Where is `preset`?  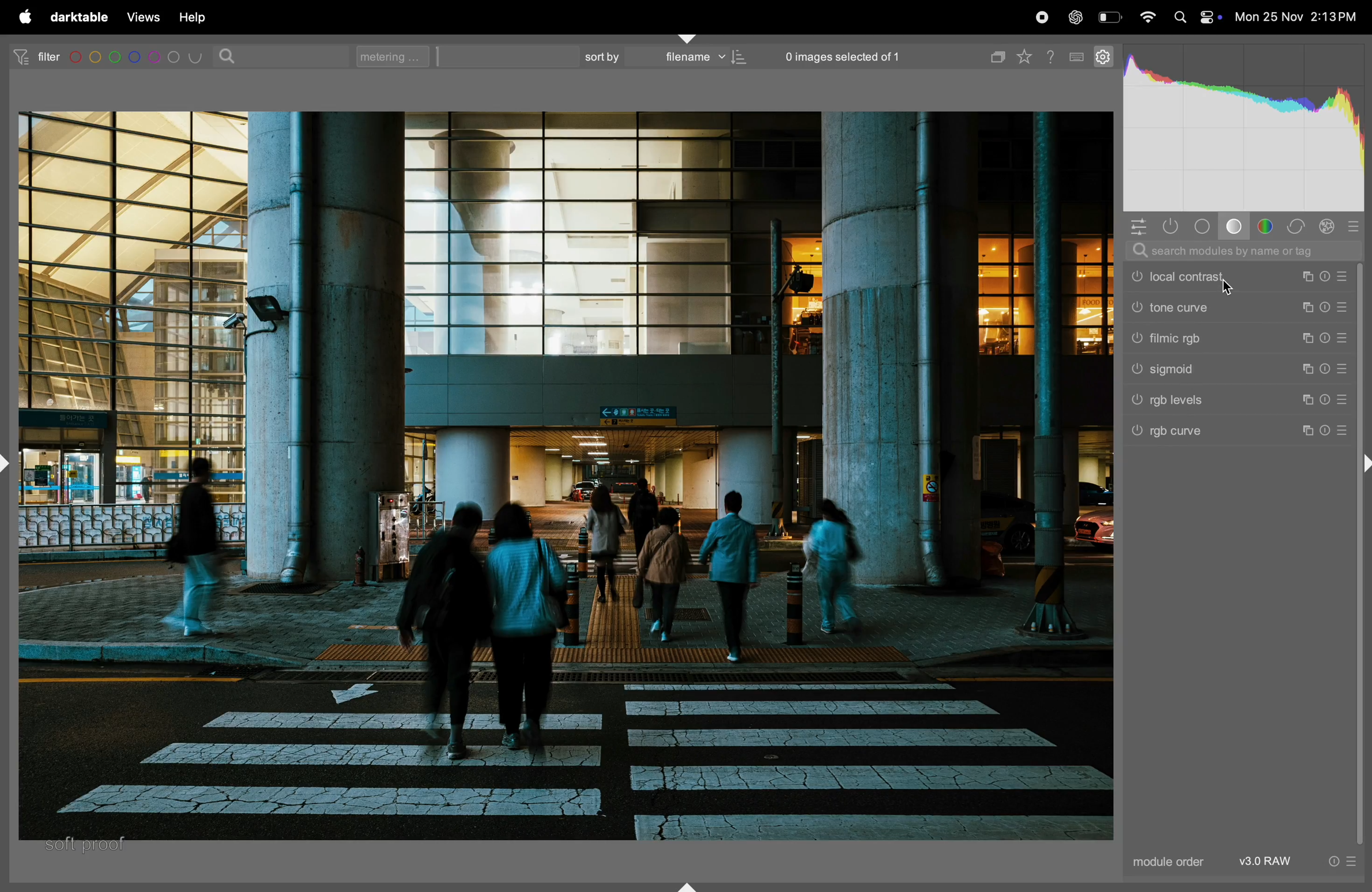
preset is located at coordinates (1346, 368).